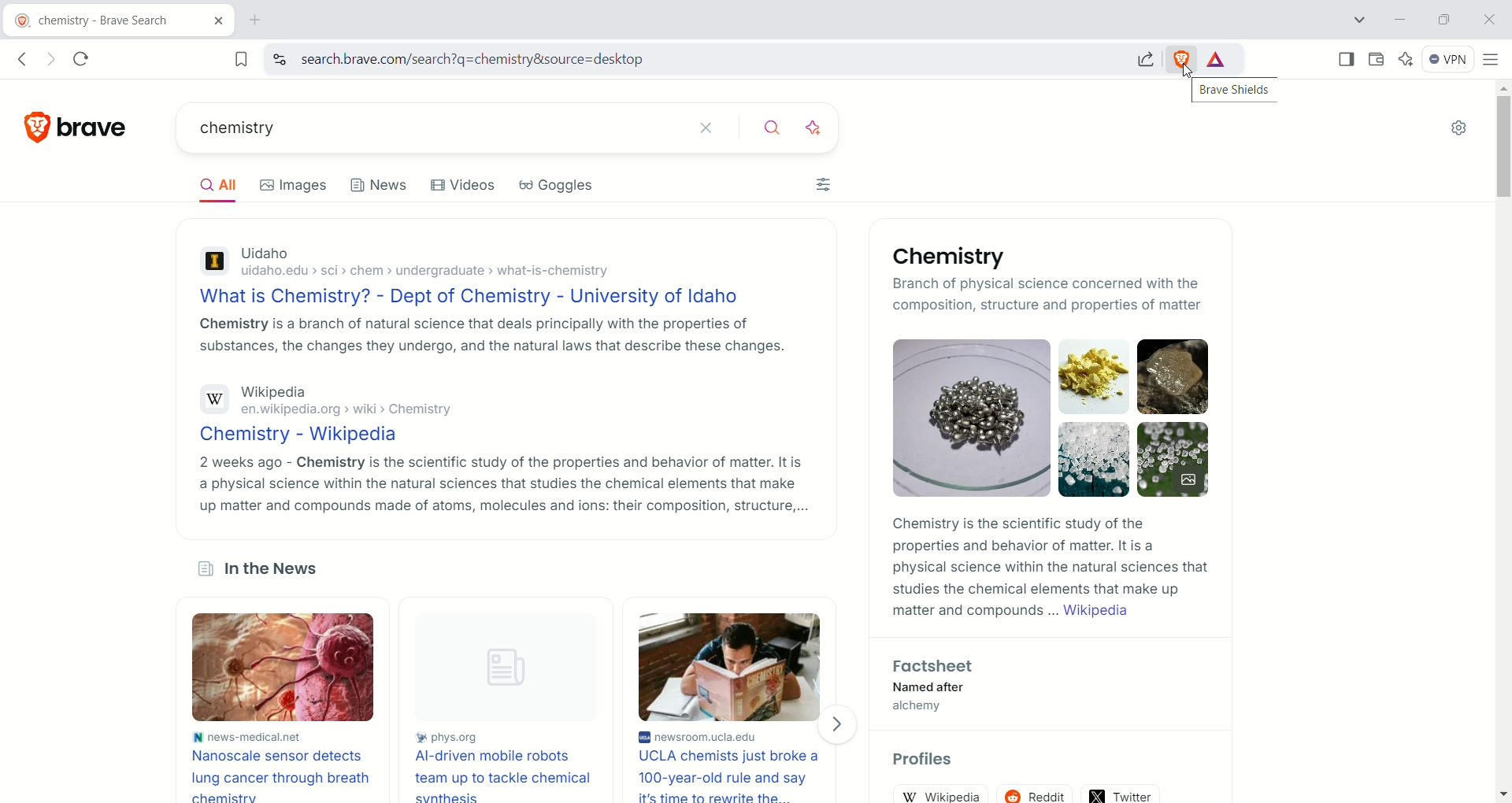 The height and width of the screenshot is (803, 1512). I want to click on wallet, so click(1376, 61).